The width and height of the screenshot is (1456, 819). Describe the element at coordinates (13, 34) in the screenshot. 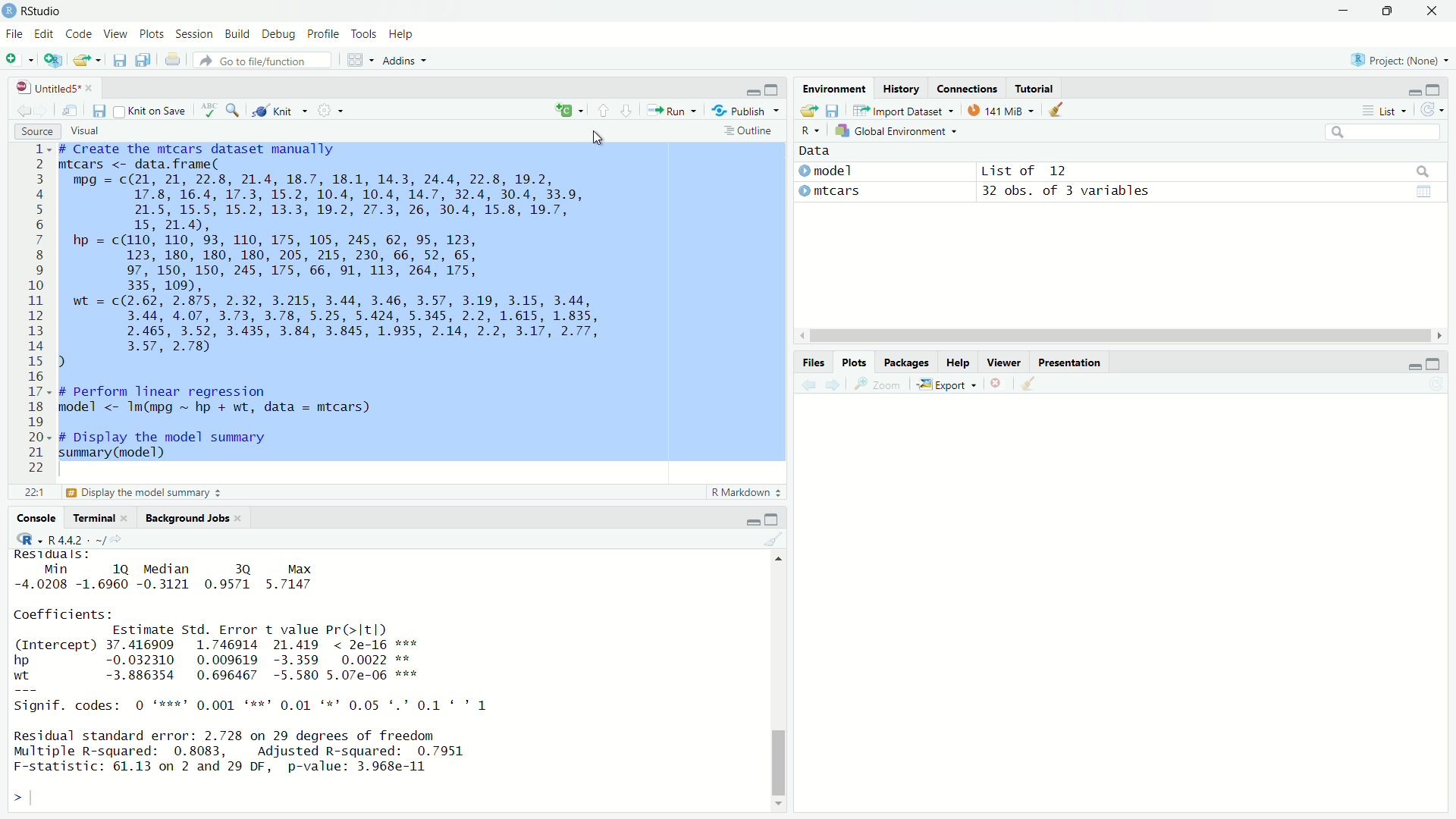

I see `file` at that location.